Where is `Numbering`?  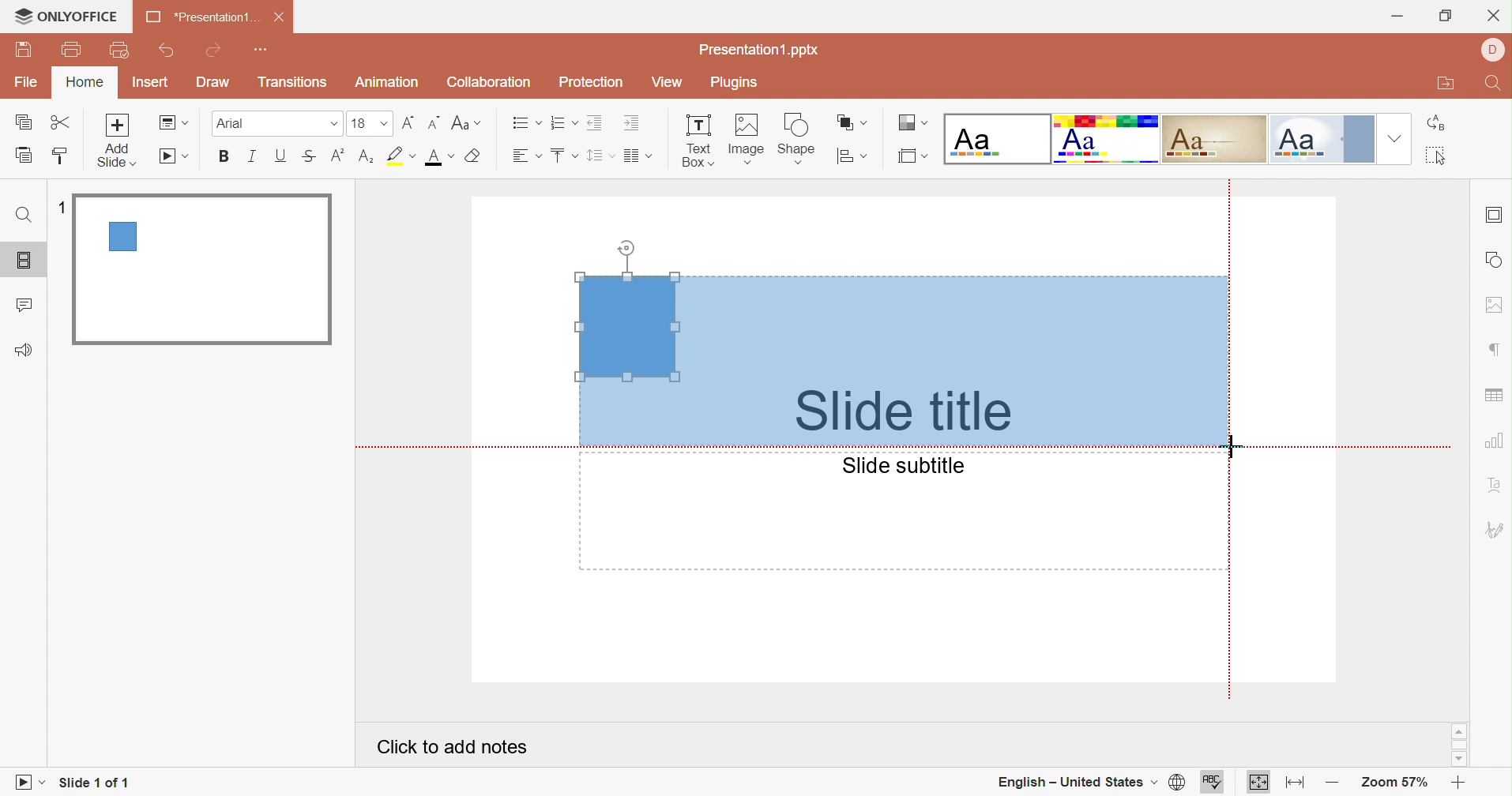
Numbering is located at coordinates (564, 122).